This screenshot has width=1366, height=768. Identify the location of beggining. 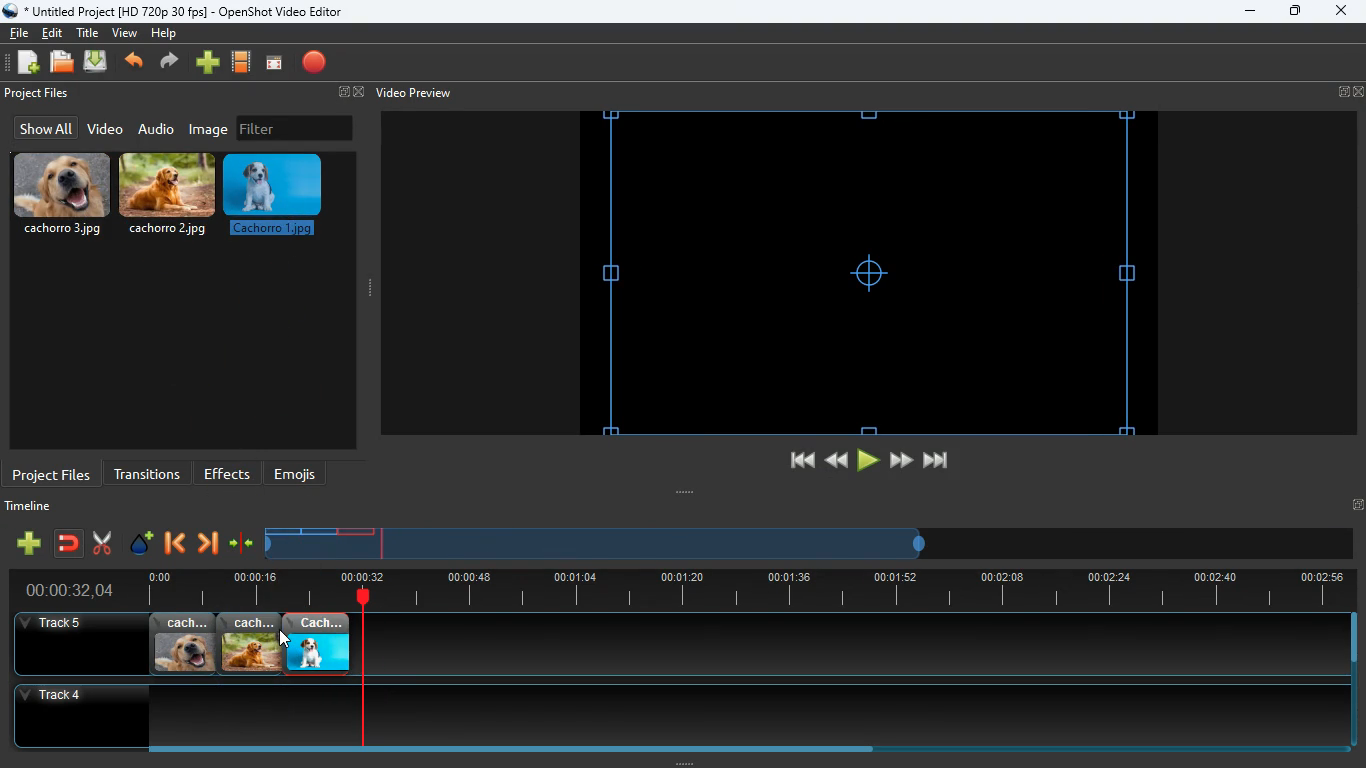
(793, 461).